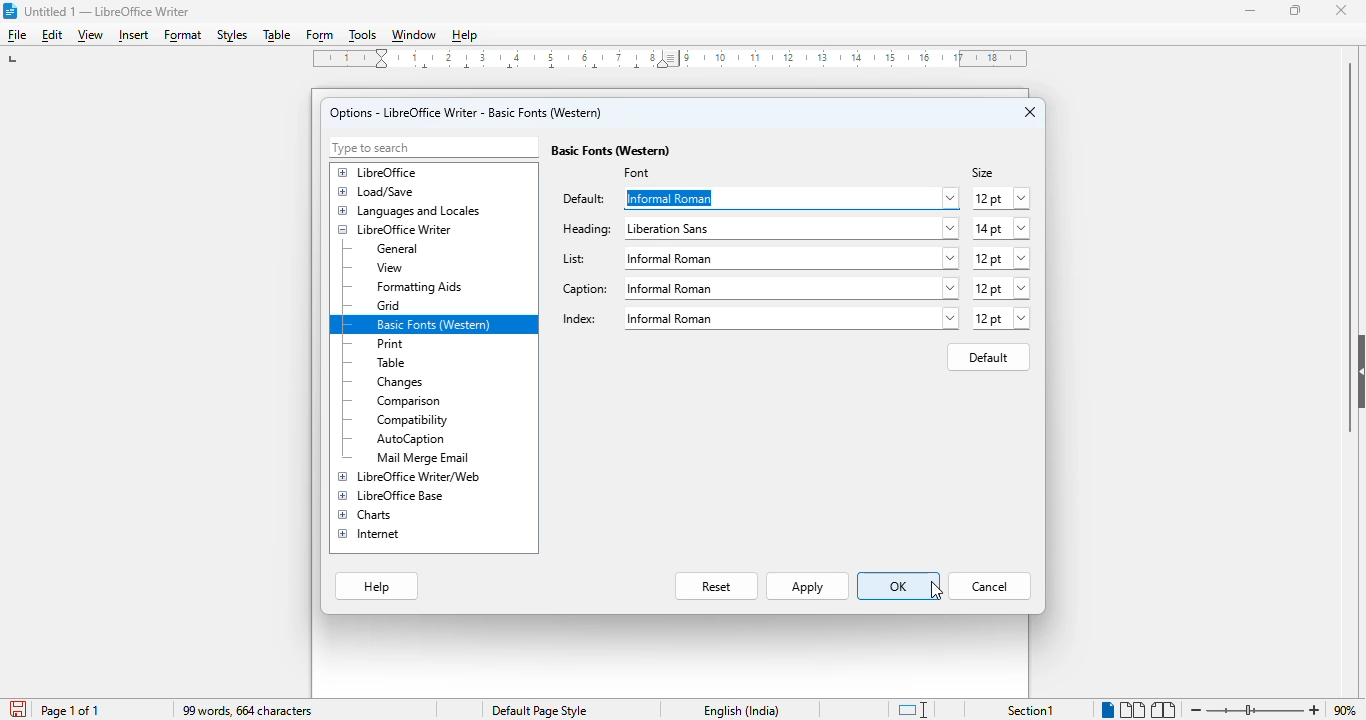 This screenshot has height=720, width=1366. I want to click on liberation sans, so click(792, 228).